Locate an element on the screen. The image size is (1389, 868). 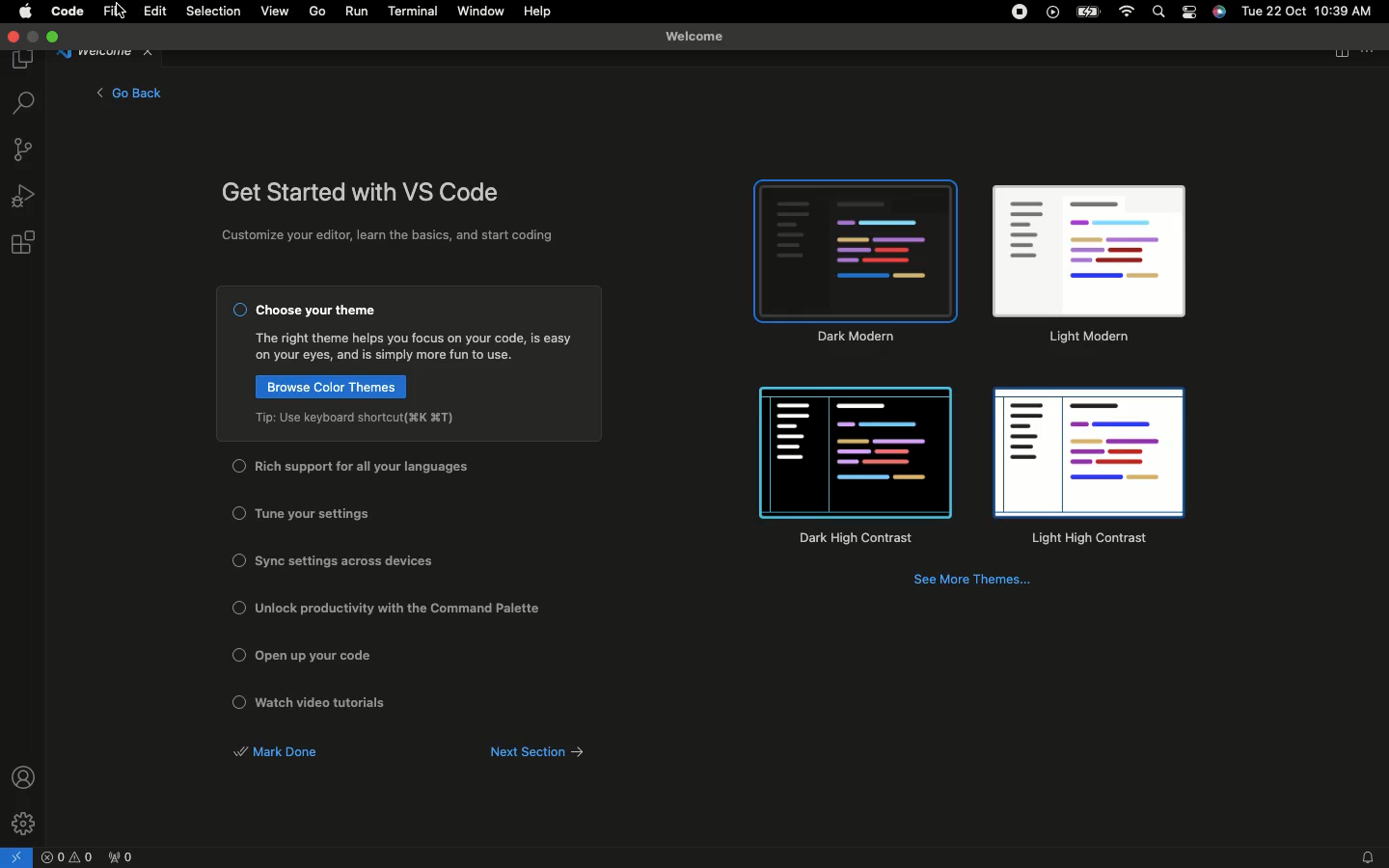
Sync settings across devices is located at coordinates (344, 560).